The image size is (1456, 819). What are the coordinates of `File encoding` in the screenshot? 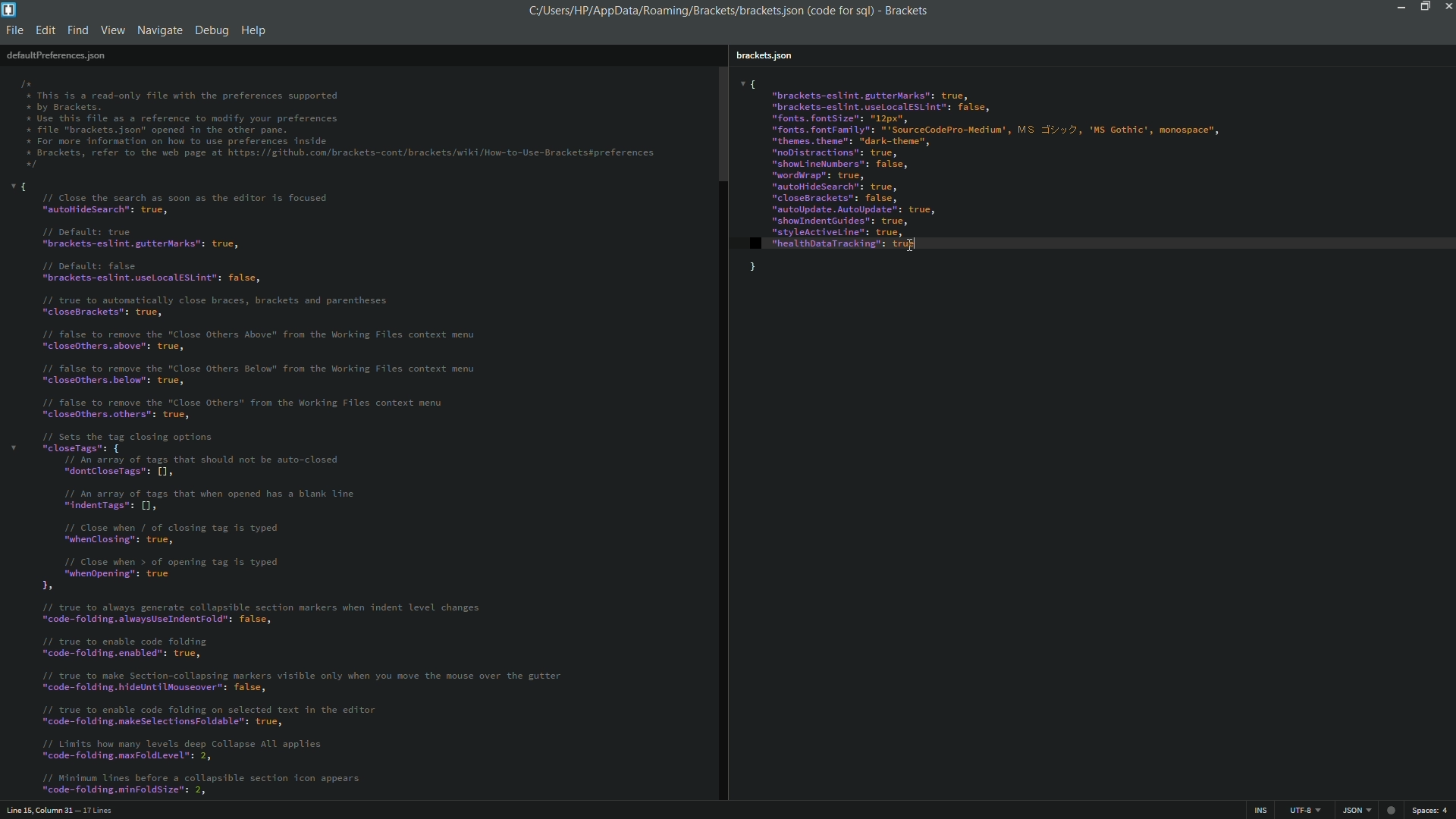 It's located at (1302, 811).